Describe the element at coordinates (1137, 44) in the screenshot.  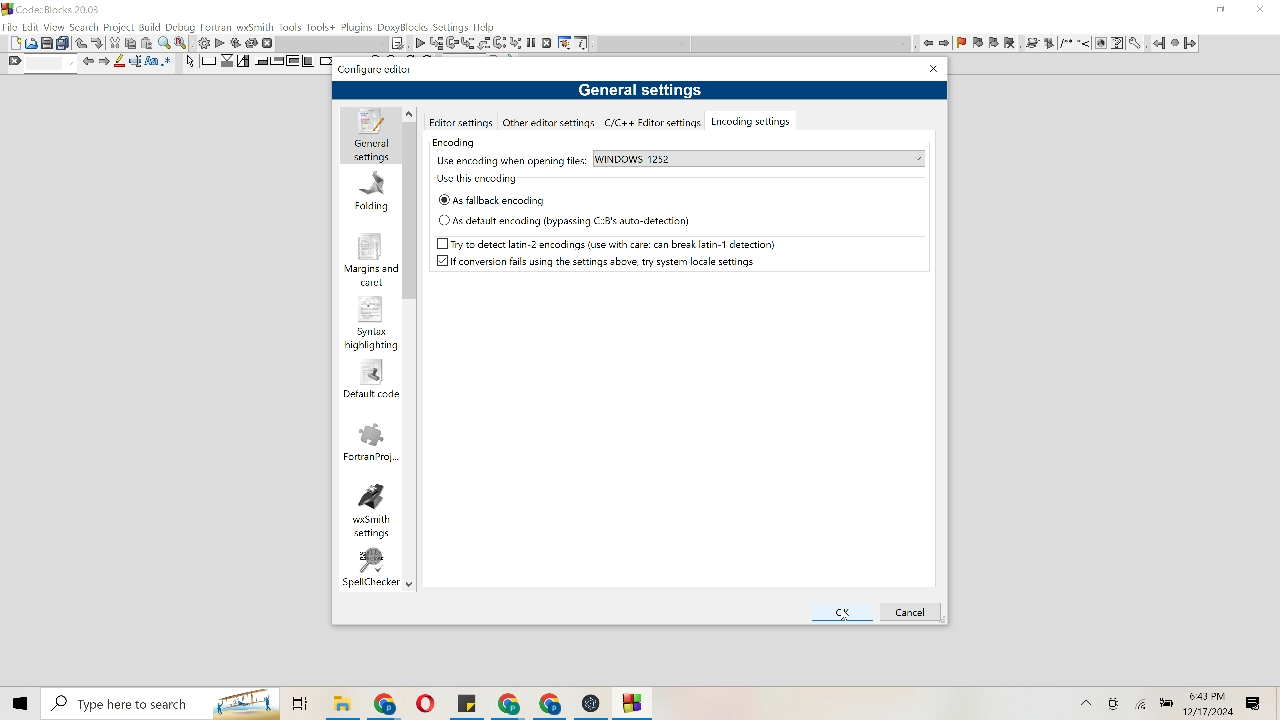
I see `tools` at that location.